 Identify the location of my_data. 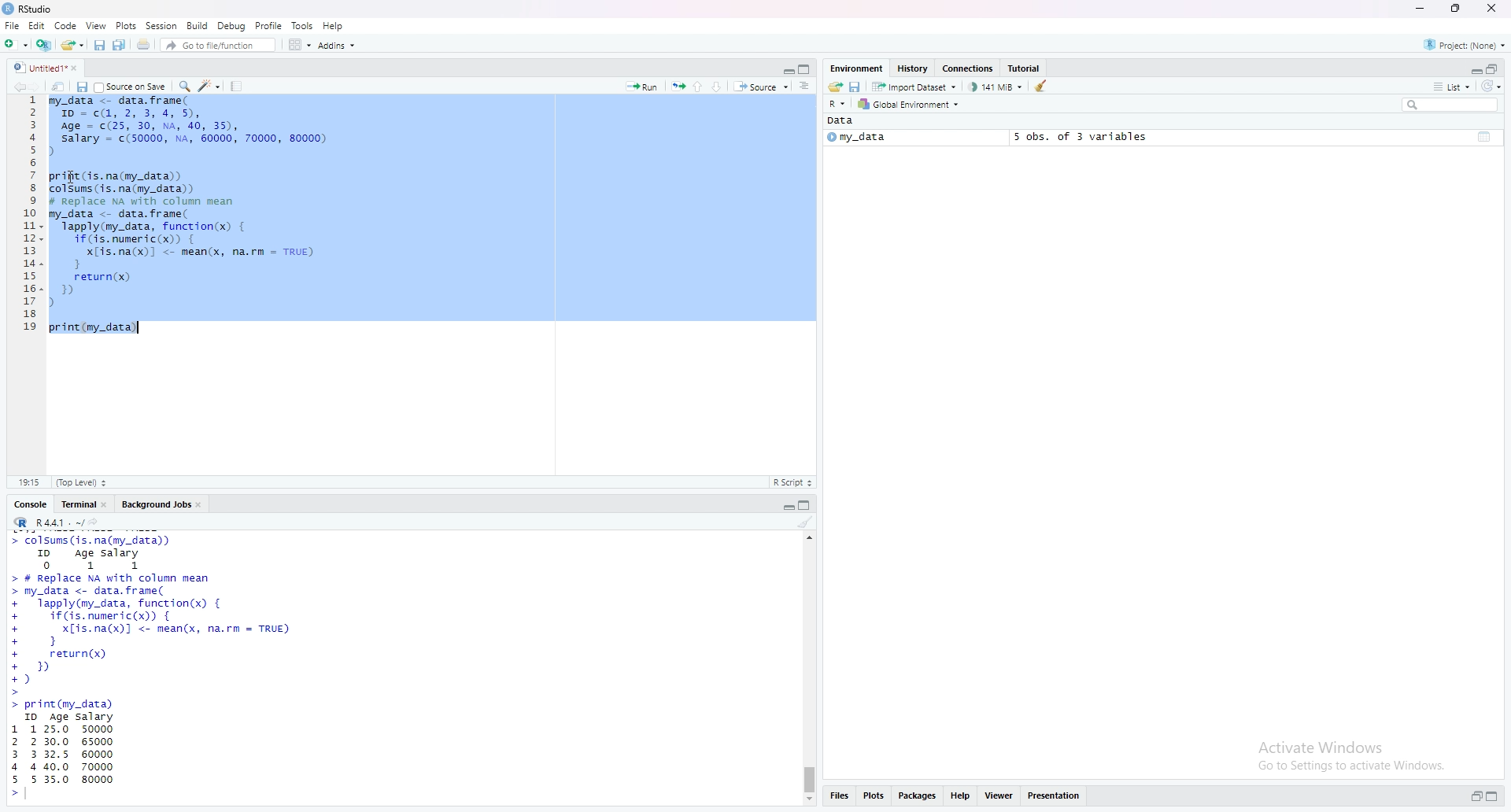
(855, 138).